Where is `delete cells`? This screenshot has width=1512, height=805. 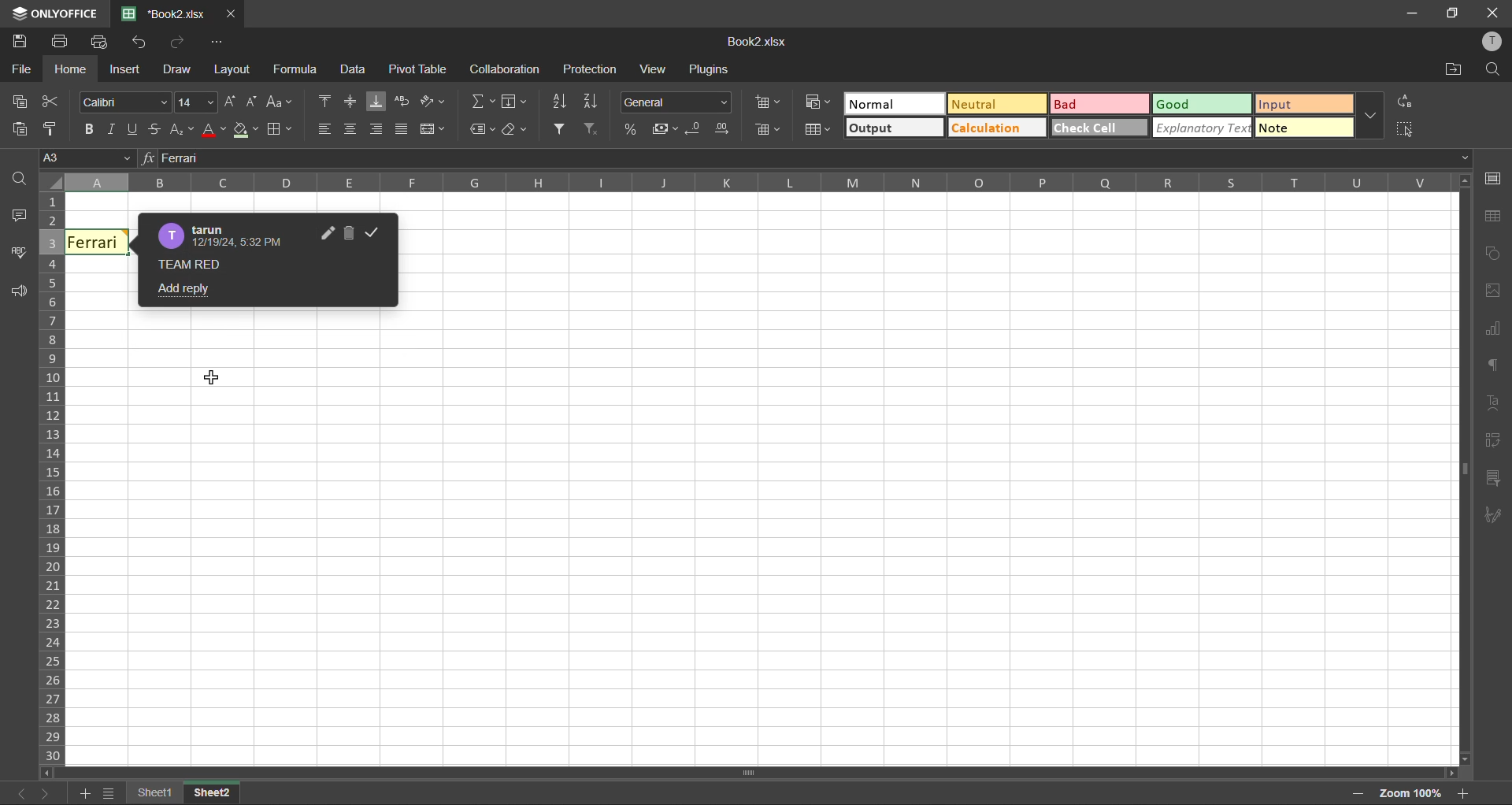 delete cells is located at coordinates (769, 131).